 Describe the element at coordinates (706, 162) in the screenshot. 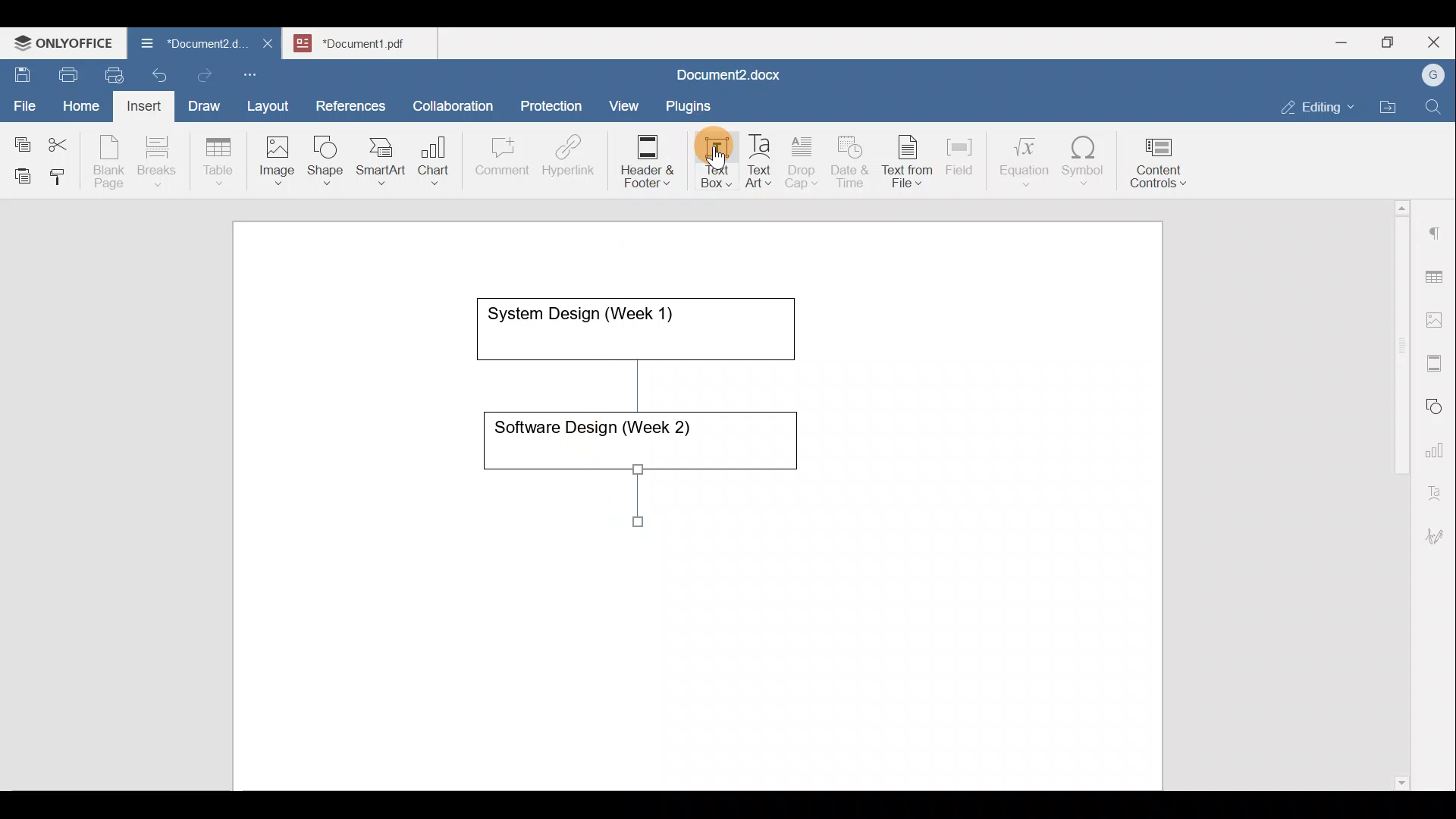

I see `Text box` at that location.